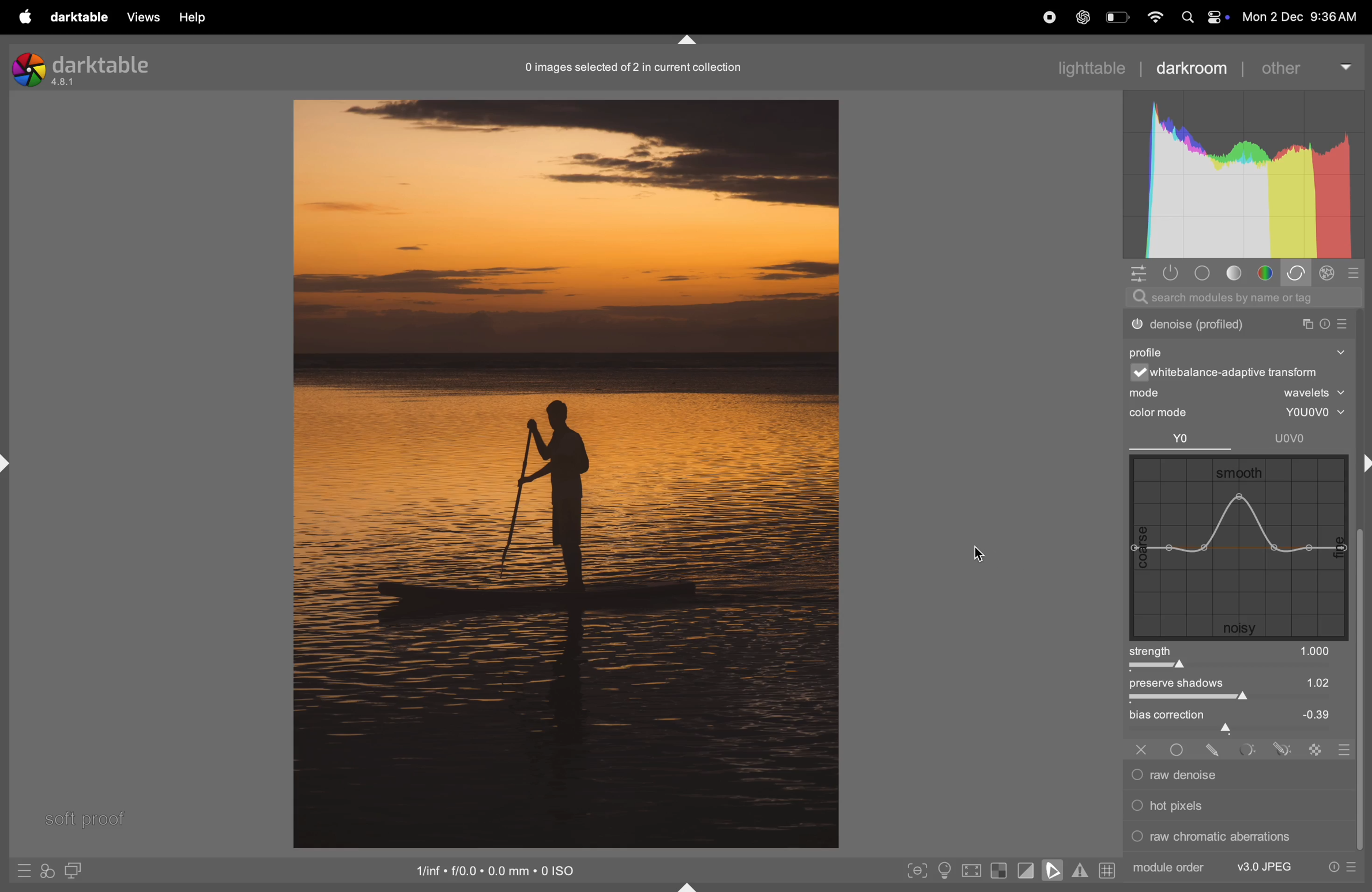 The image size is (1372, 892). Describe the element at coordinates (999, 872) in the screenshot. I see `toggle indication for raw exposure` at that location.